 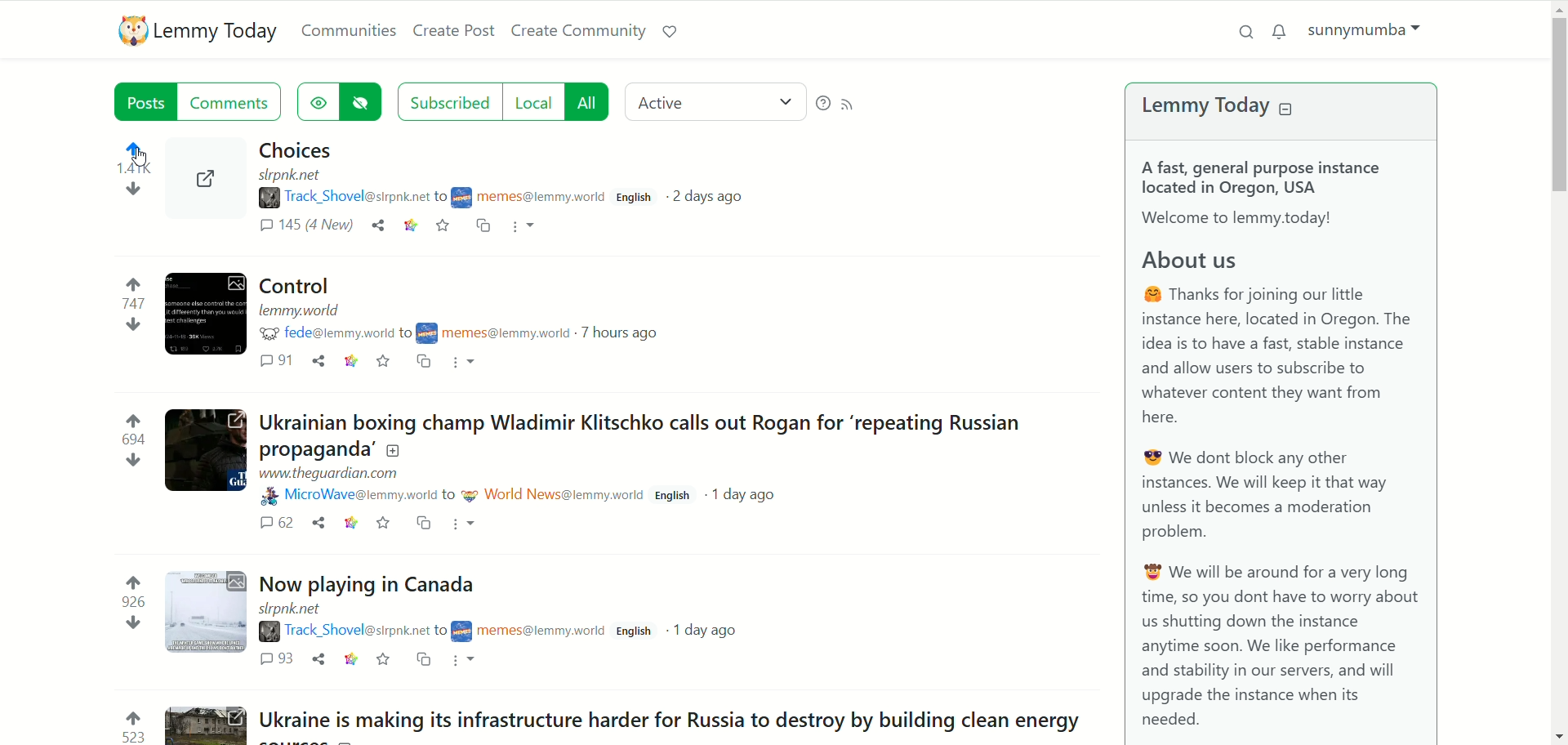 What do you see at coordinates (299, 150) in the screenshot?
I see `Post - Choices` at bounding box center [299, 150].